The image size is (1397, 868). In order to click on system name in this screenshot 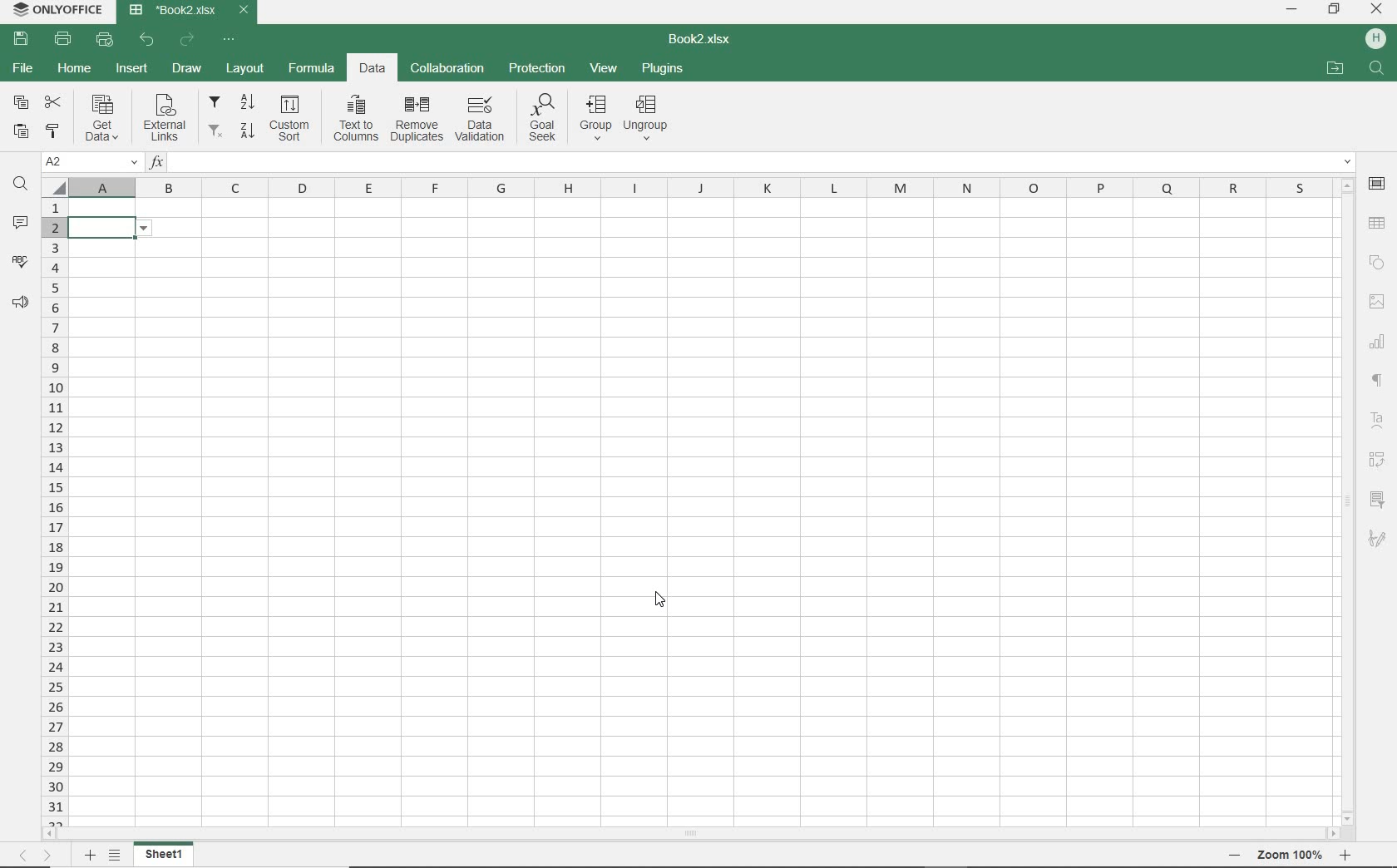, I will do `click(58, 11)`.